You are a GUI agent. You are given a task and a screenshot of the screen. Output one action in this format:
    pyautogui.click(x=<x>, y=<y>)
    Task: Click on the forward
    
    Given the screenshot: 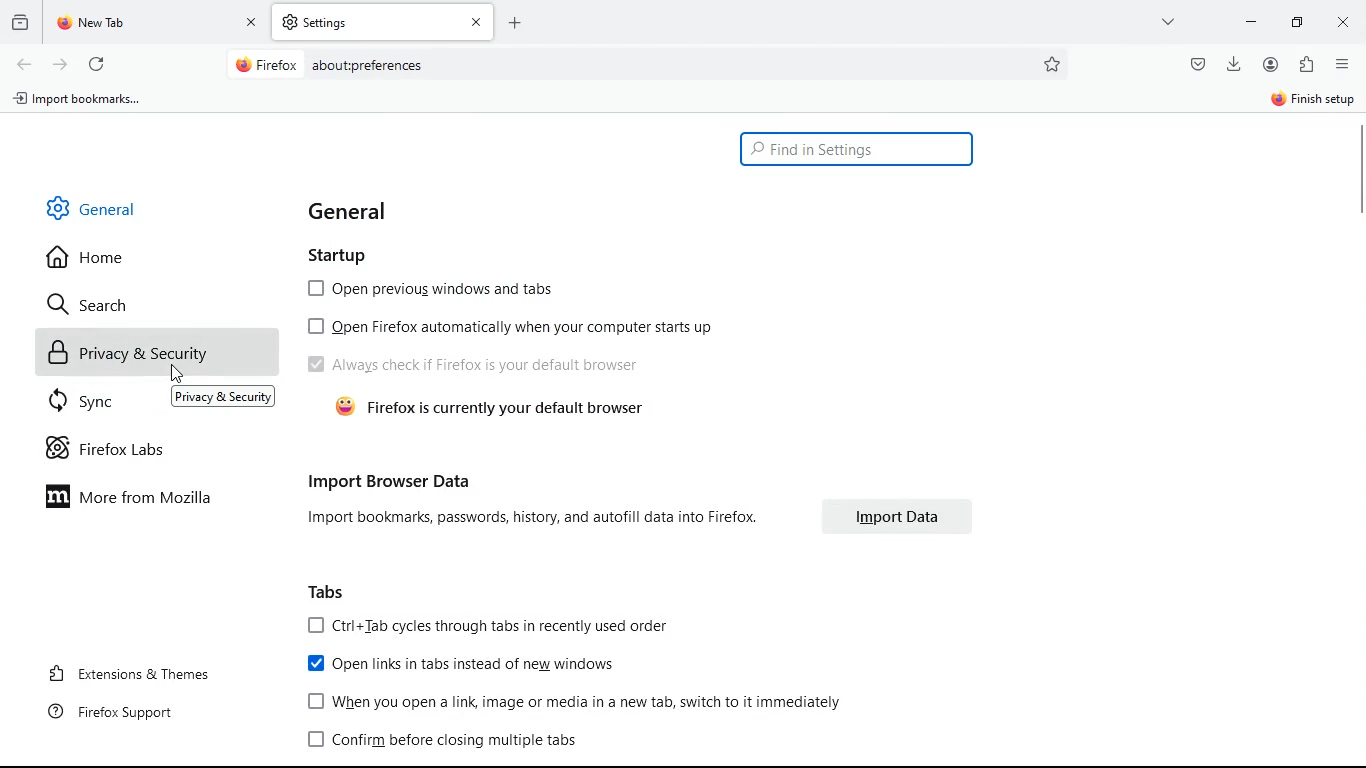 What is the action you would take?
    pyautogui.click(x=60, y=63)
    